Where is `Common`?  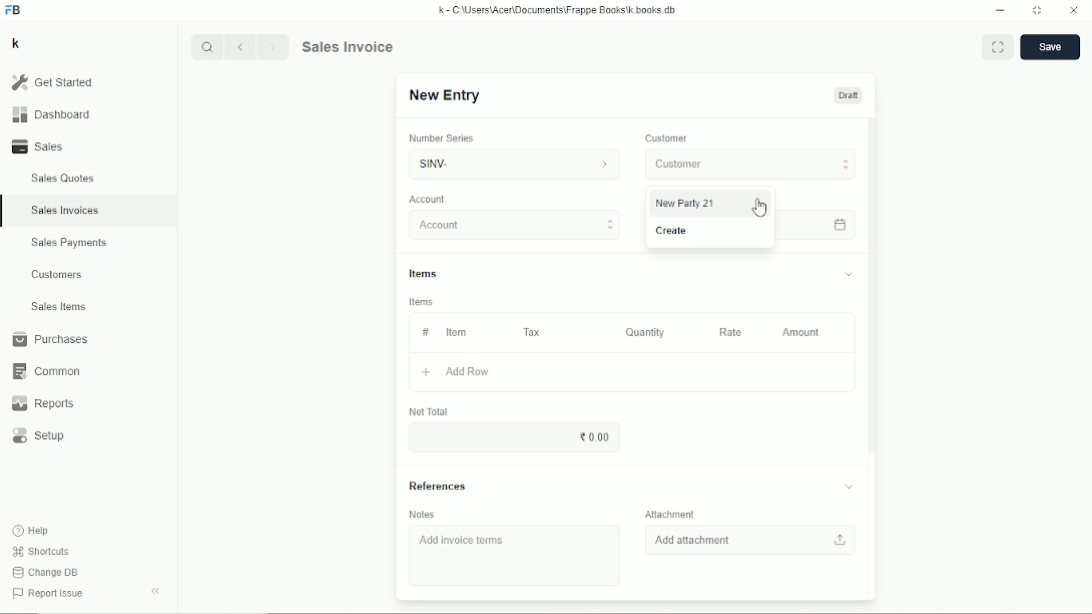
Common is located at coordinates (44, 371).